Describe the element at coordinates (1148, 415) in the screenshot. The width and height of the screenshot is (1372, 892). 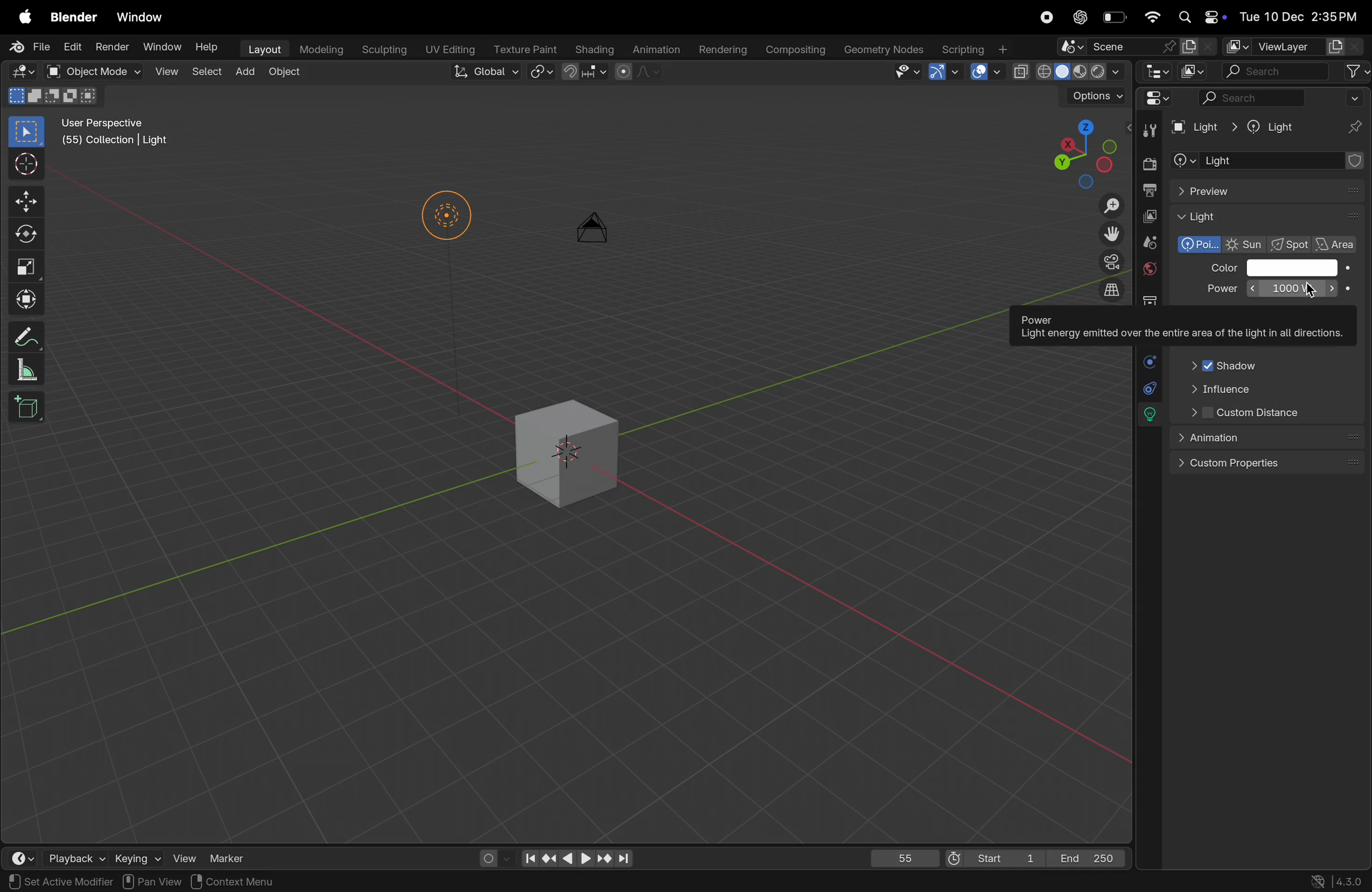
I see `lights` at that location.